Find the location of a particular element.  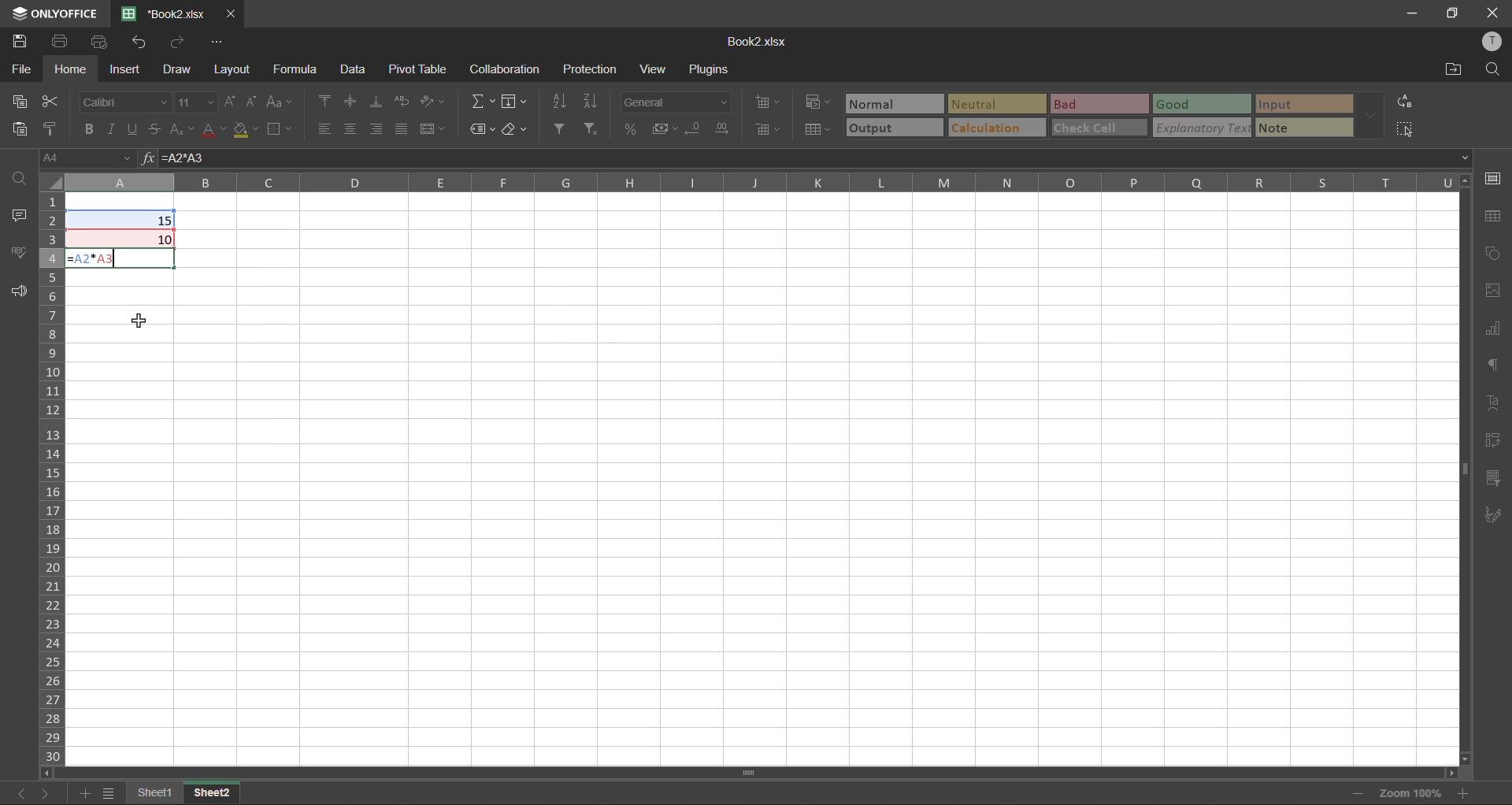

normal is located at coordinates (891, 104).